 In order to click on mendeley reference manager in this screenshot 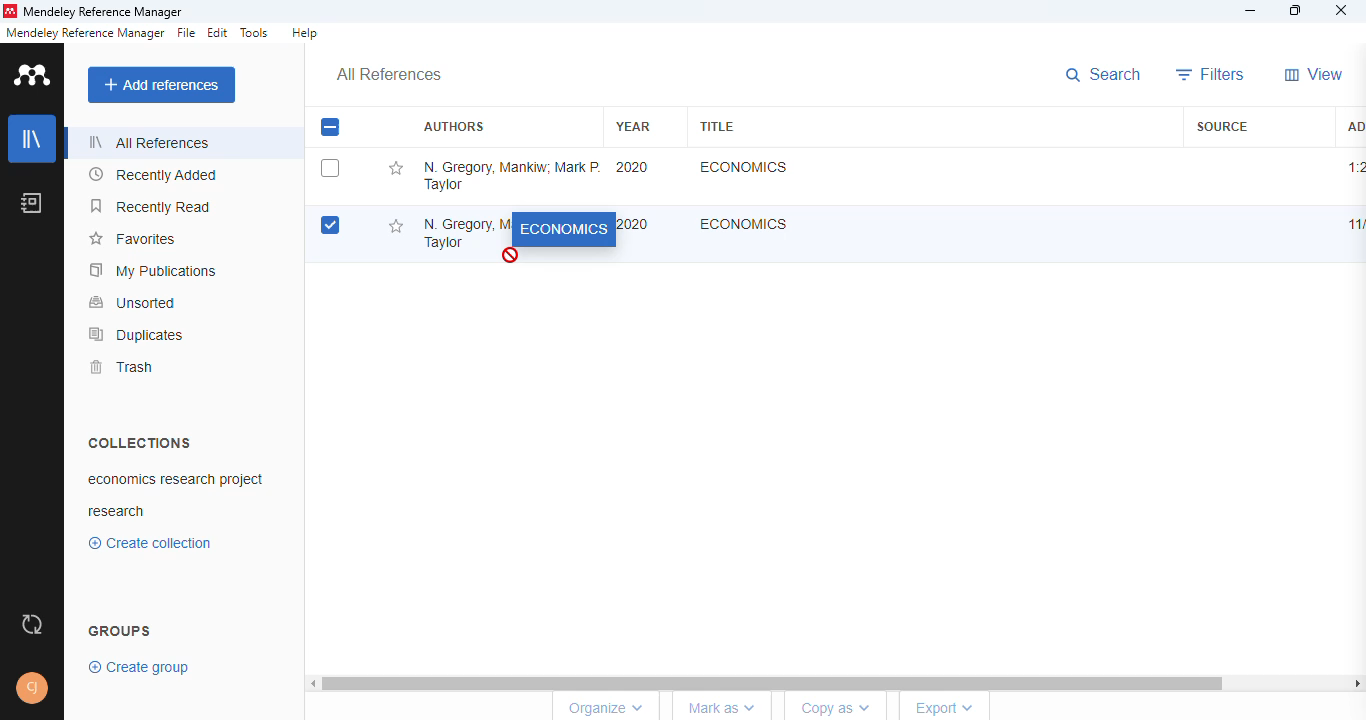, I will do `click(85, 33)`.